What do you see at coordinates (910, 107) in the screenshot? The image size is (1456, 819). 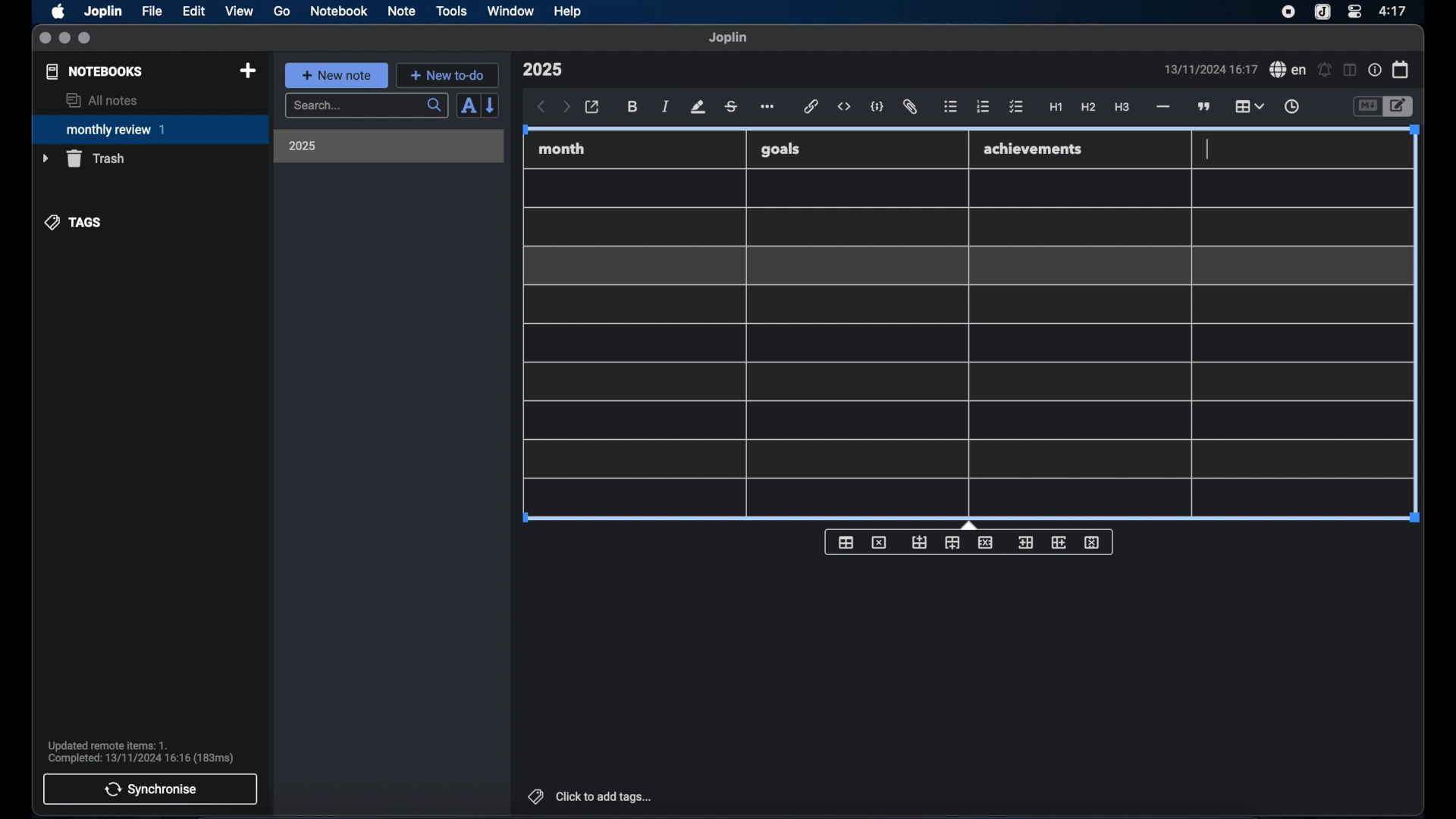 I see `attach file` at bounding box center [910, 107].